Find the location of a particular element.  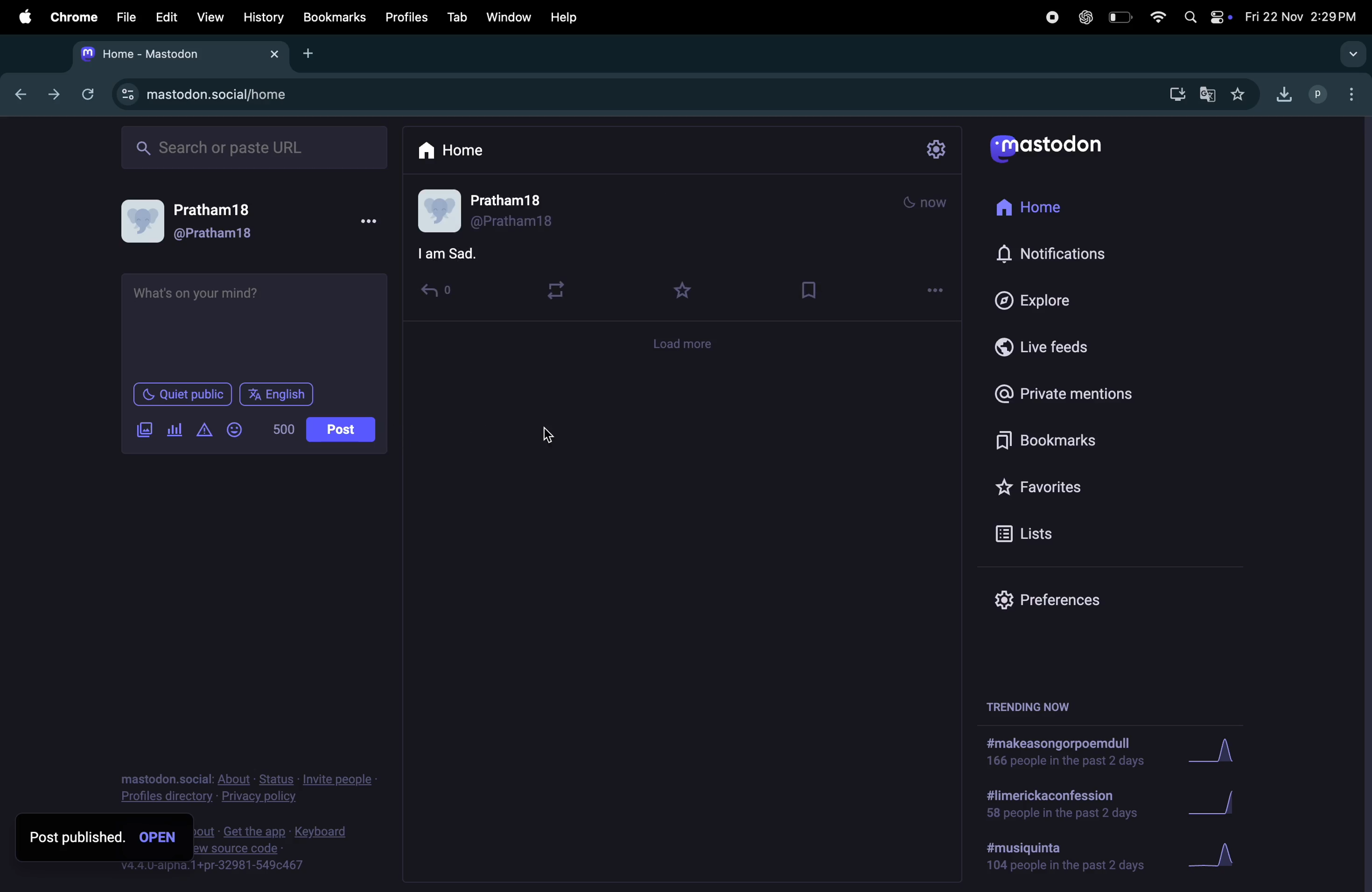

lists is located at coordinates (1074, 532).